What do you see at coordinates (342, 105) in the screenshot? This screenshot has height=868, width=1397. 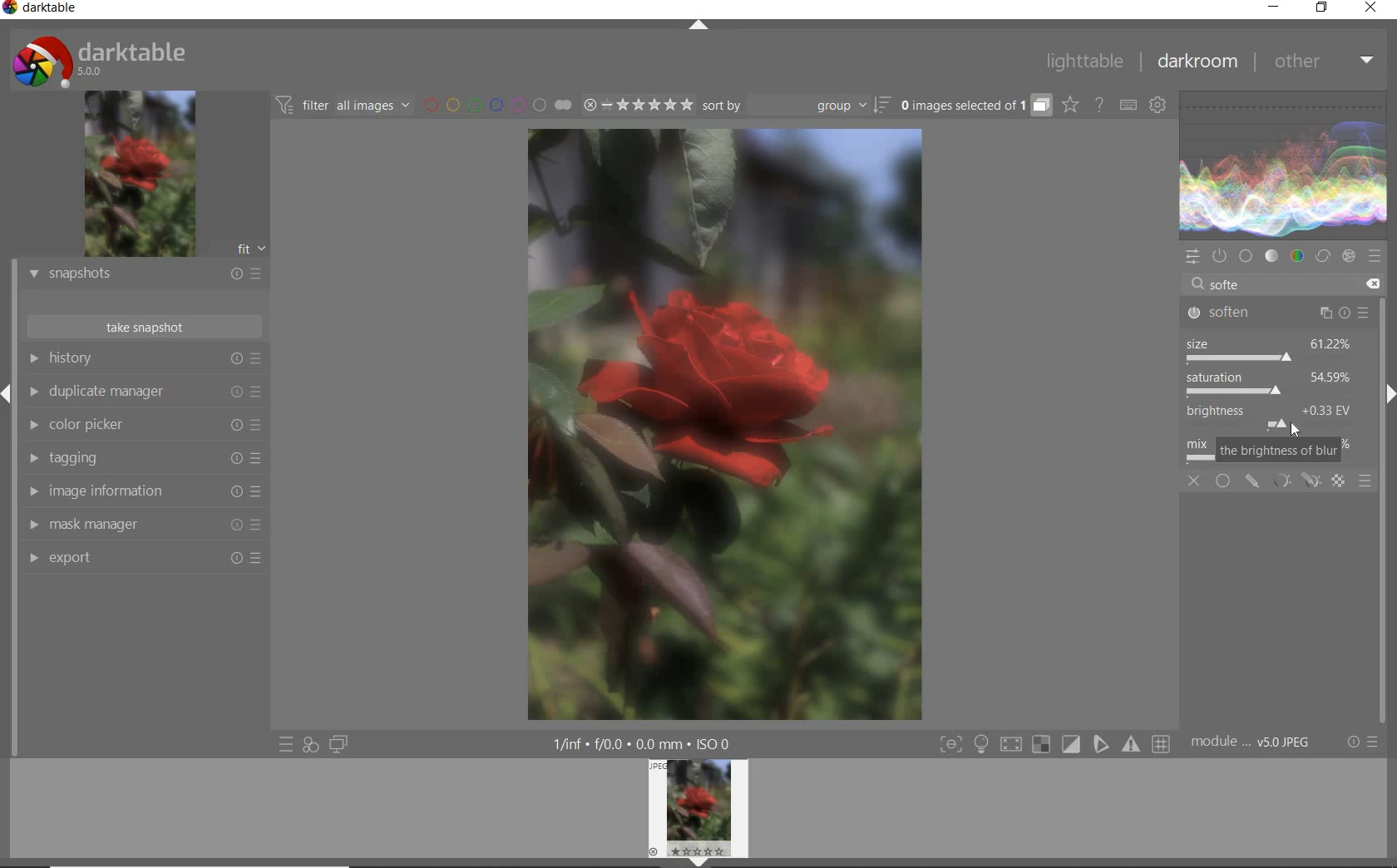 I see `filter all images by module order` at bounding box center [342, 105].